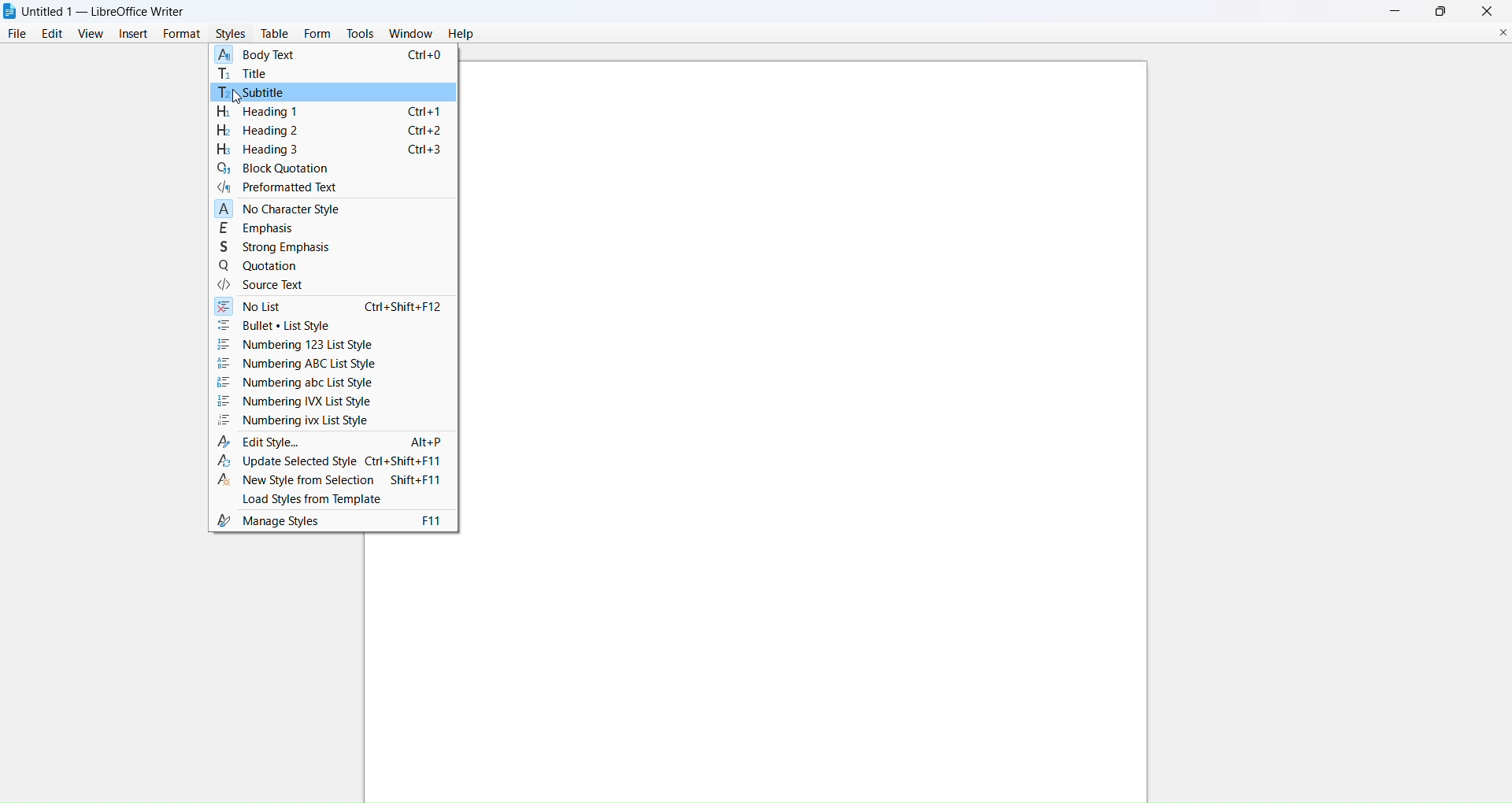  I want to click on minimize, so click(1399, 11).